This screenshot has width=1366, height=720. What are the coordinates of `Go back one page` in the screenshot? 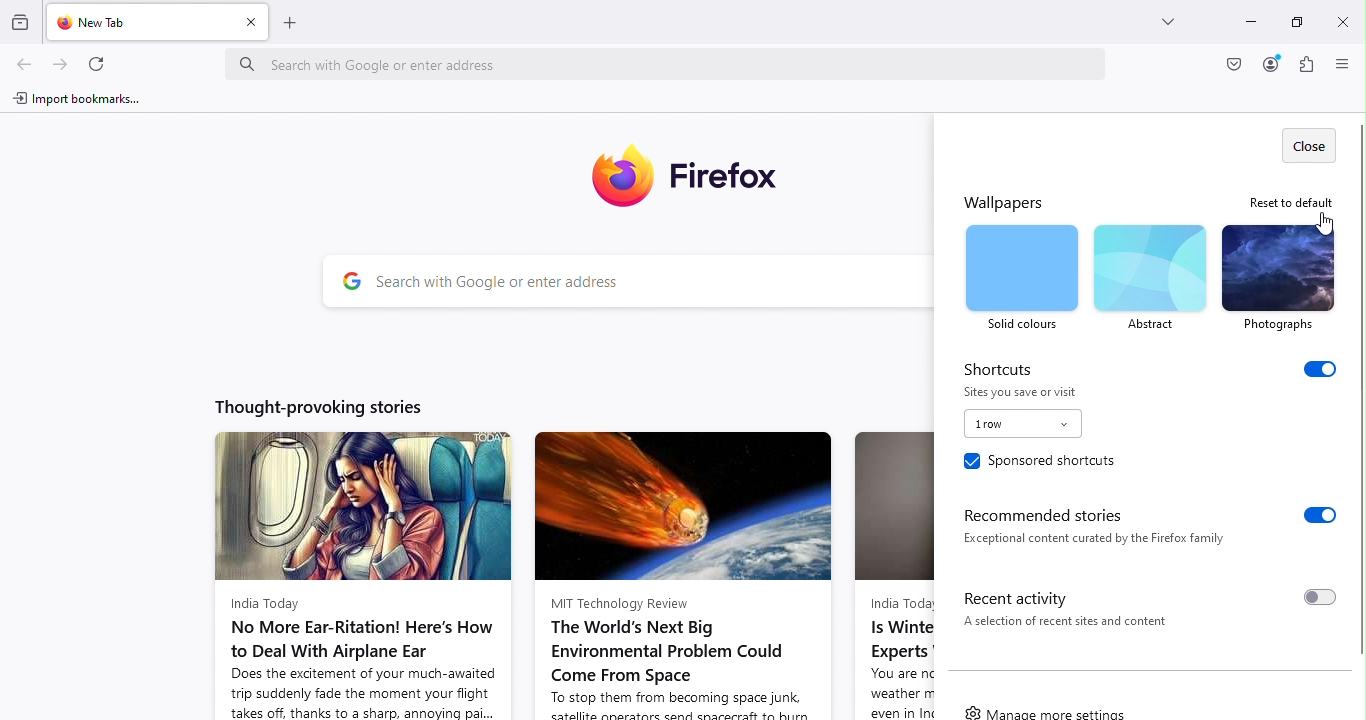 It's located at (26, 61).